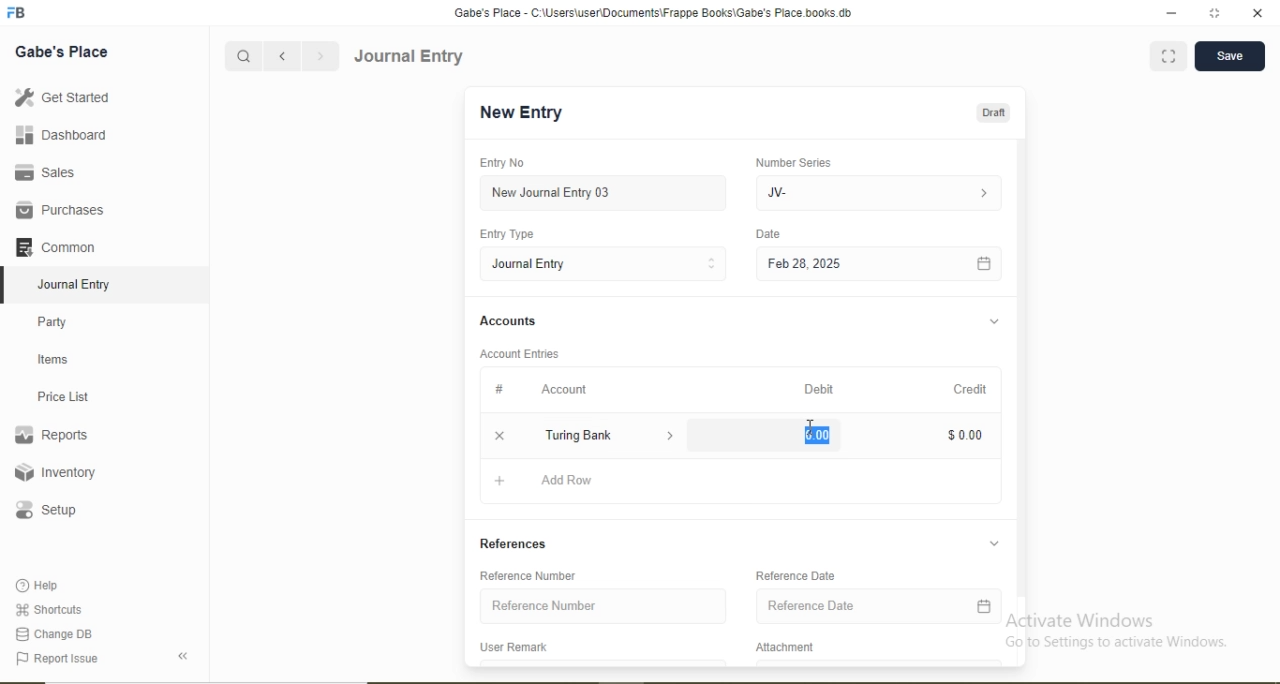  I want to click on 0.00, so click(817, 435).